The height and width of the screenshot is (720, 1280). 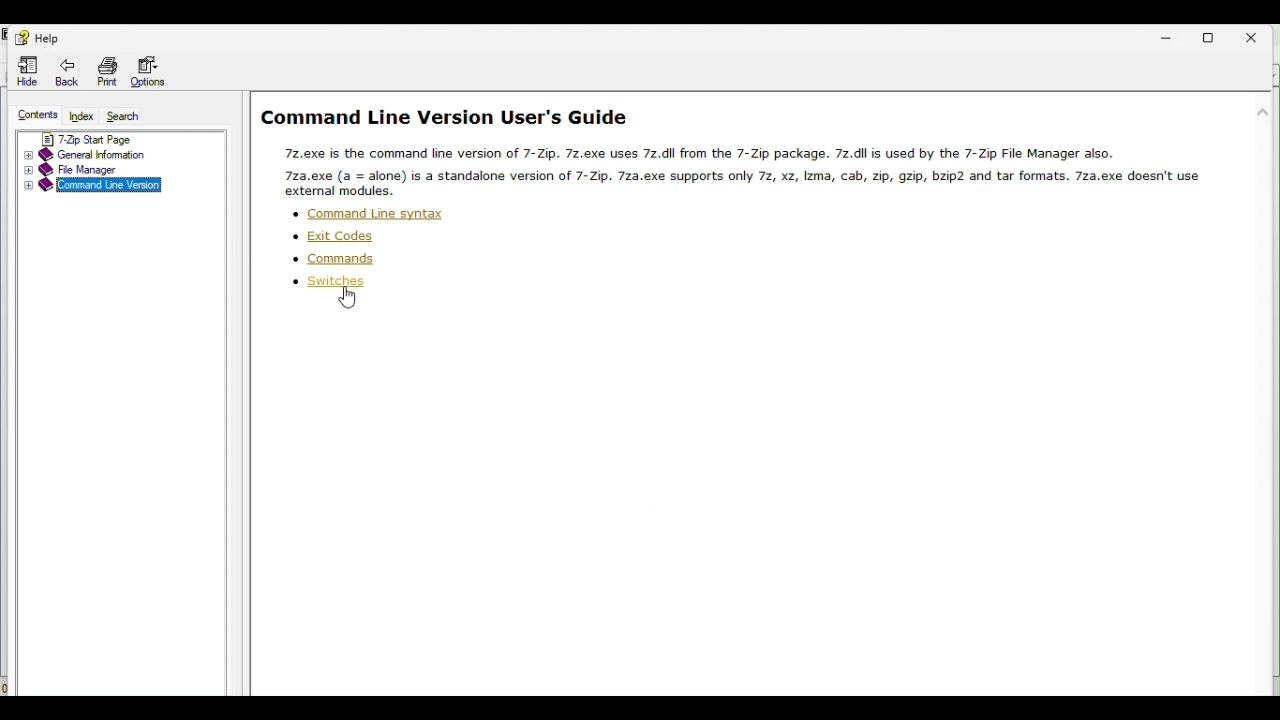 What do you see at coordinates (24, 70) in the screenshot?
I see `Hide` at bounding box center [24, 70].